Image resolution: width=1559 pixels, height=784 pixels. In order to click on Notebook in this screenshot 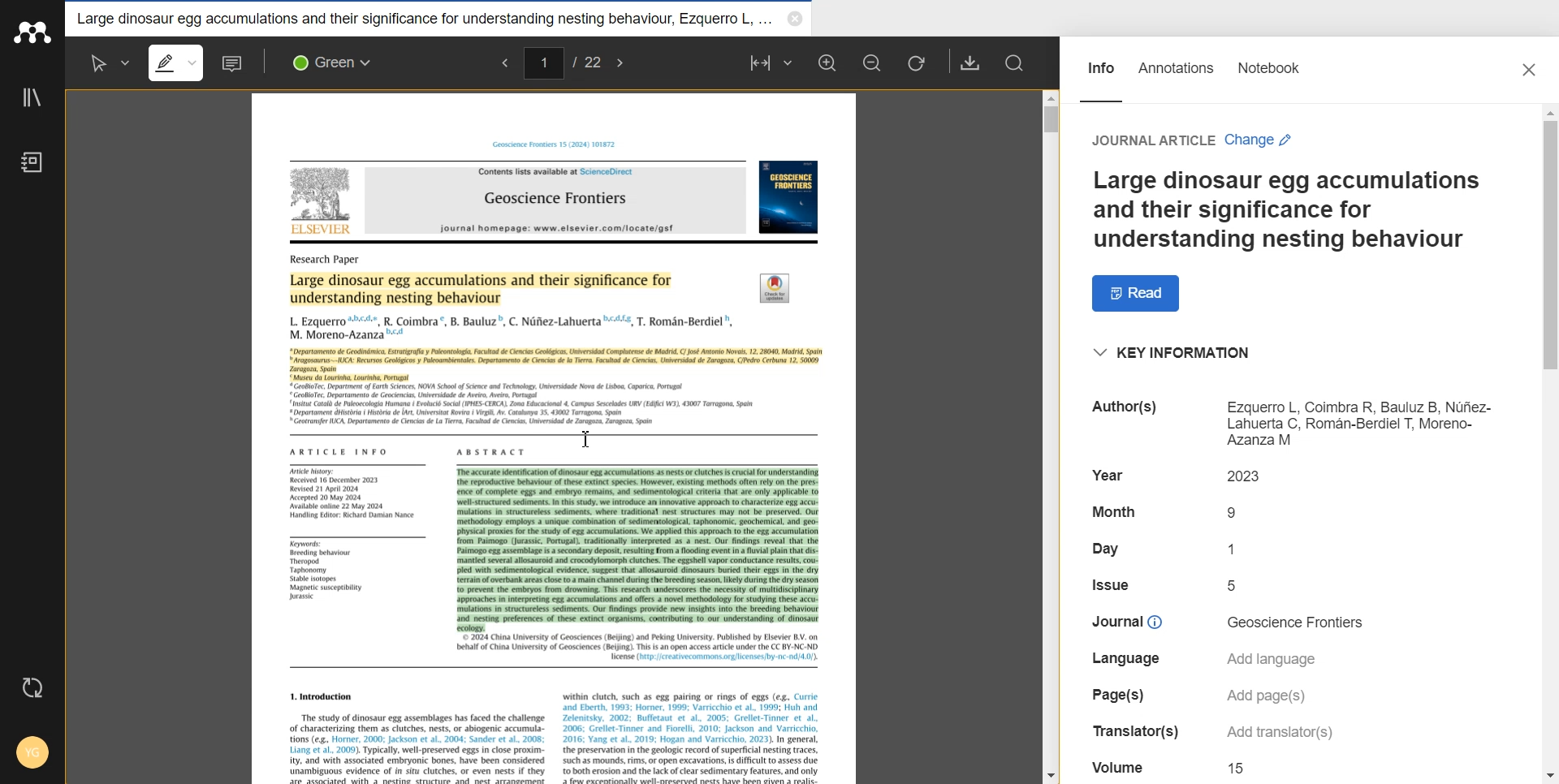, I will do `click(1269, 77)`.